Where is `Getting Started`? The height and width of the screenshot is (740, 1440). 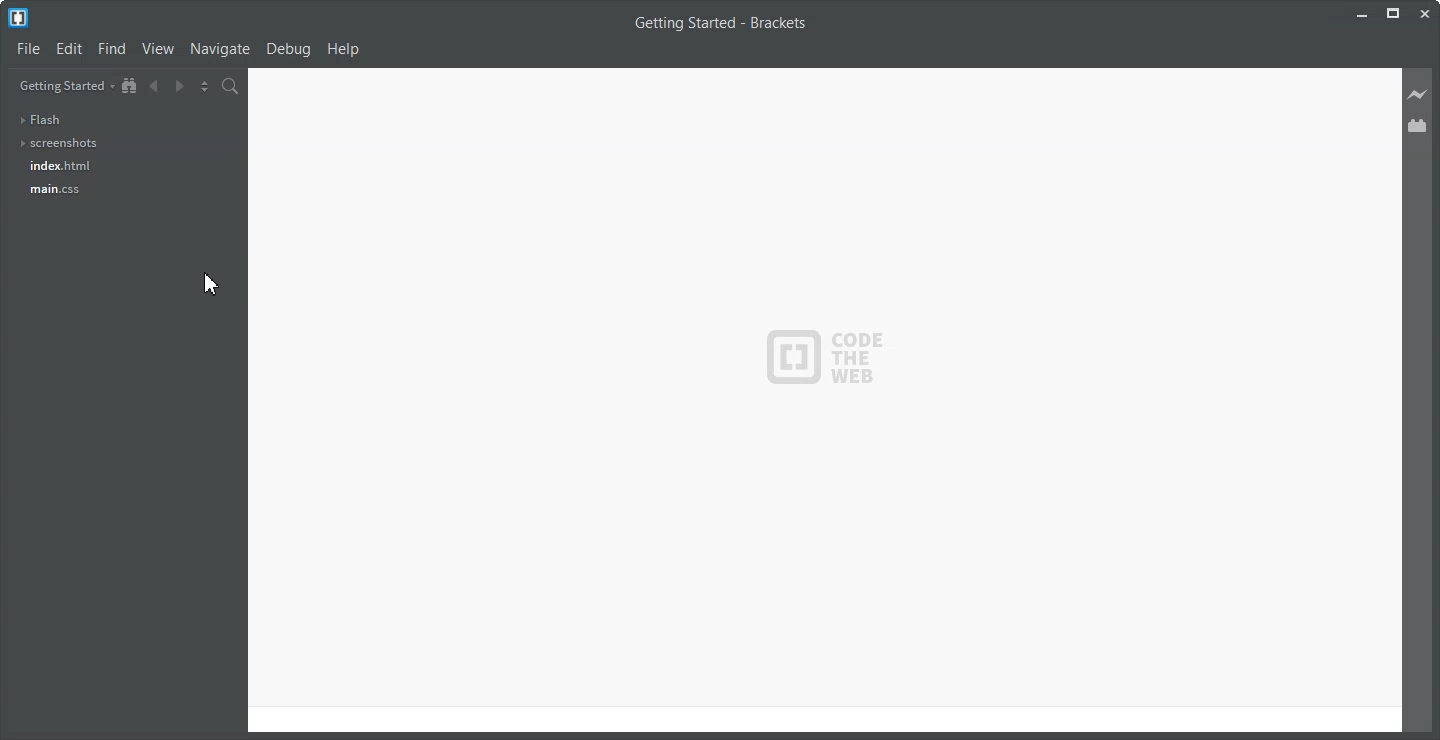
Getting Started is located at coordinates (65, 85).